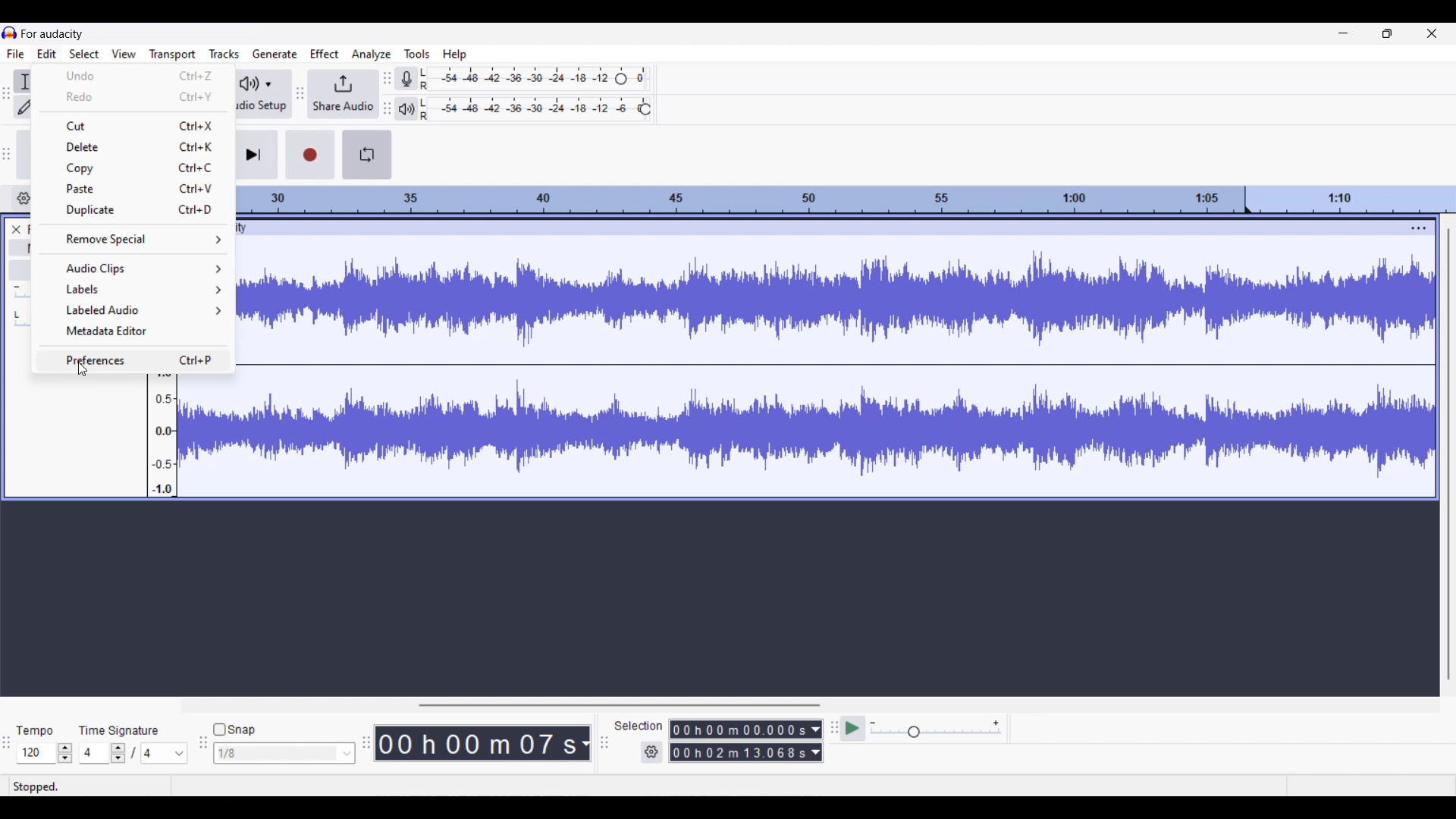 This screenshot has height=819, width=1456. I want to click on 0 0 h 0 0 m 0 0 0 0 0 s     0 0 h 02 m 1 3 0 6 8 s, so click(739, 740).